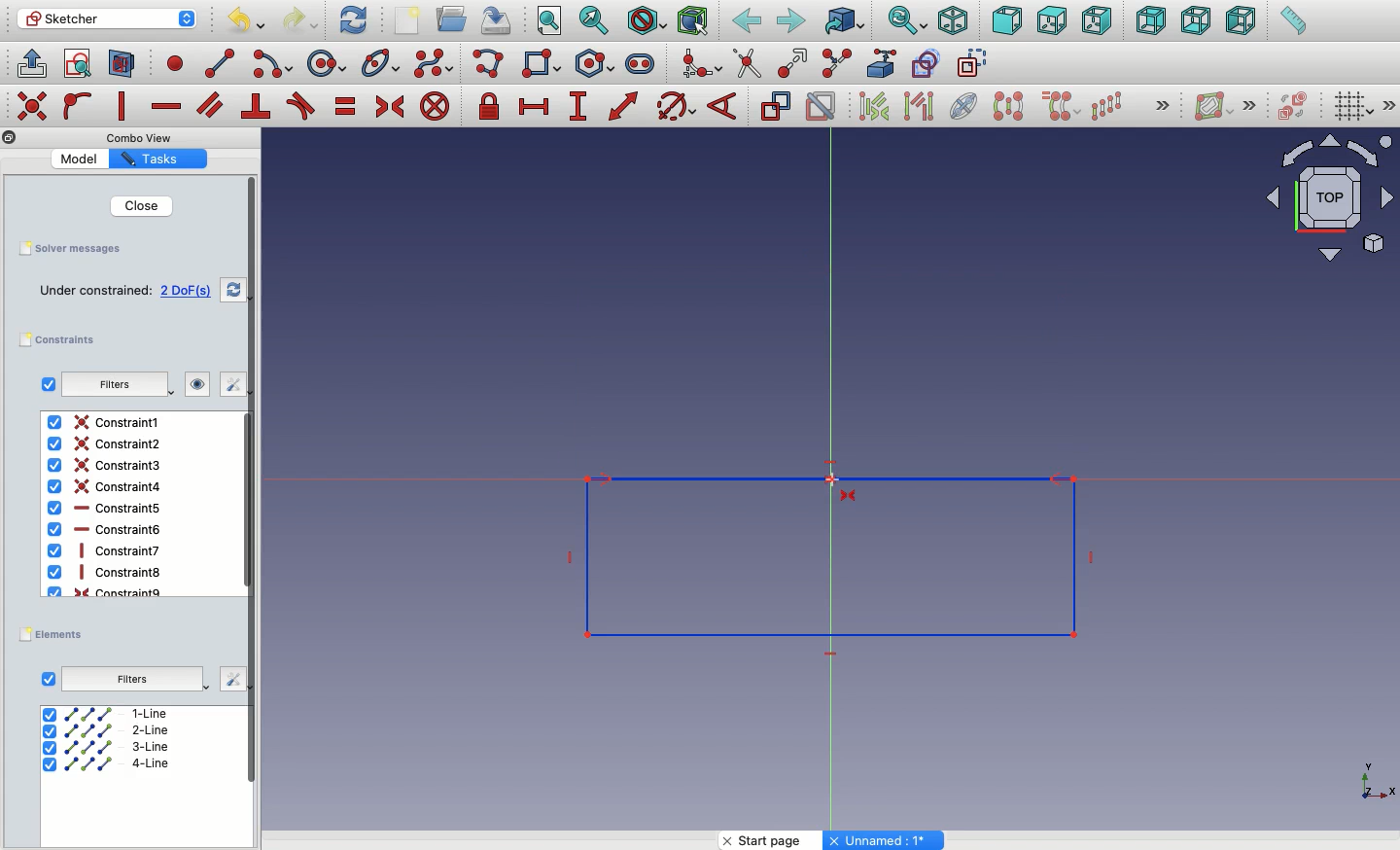  Describe the element at coordinates (113, 591) in the screenshot. I see `Constraint9` at that location.